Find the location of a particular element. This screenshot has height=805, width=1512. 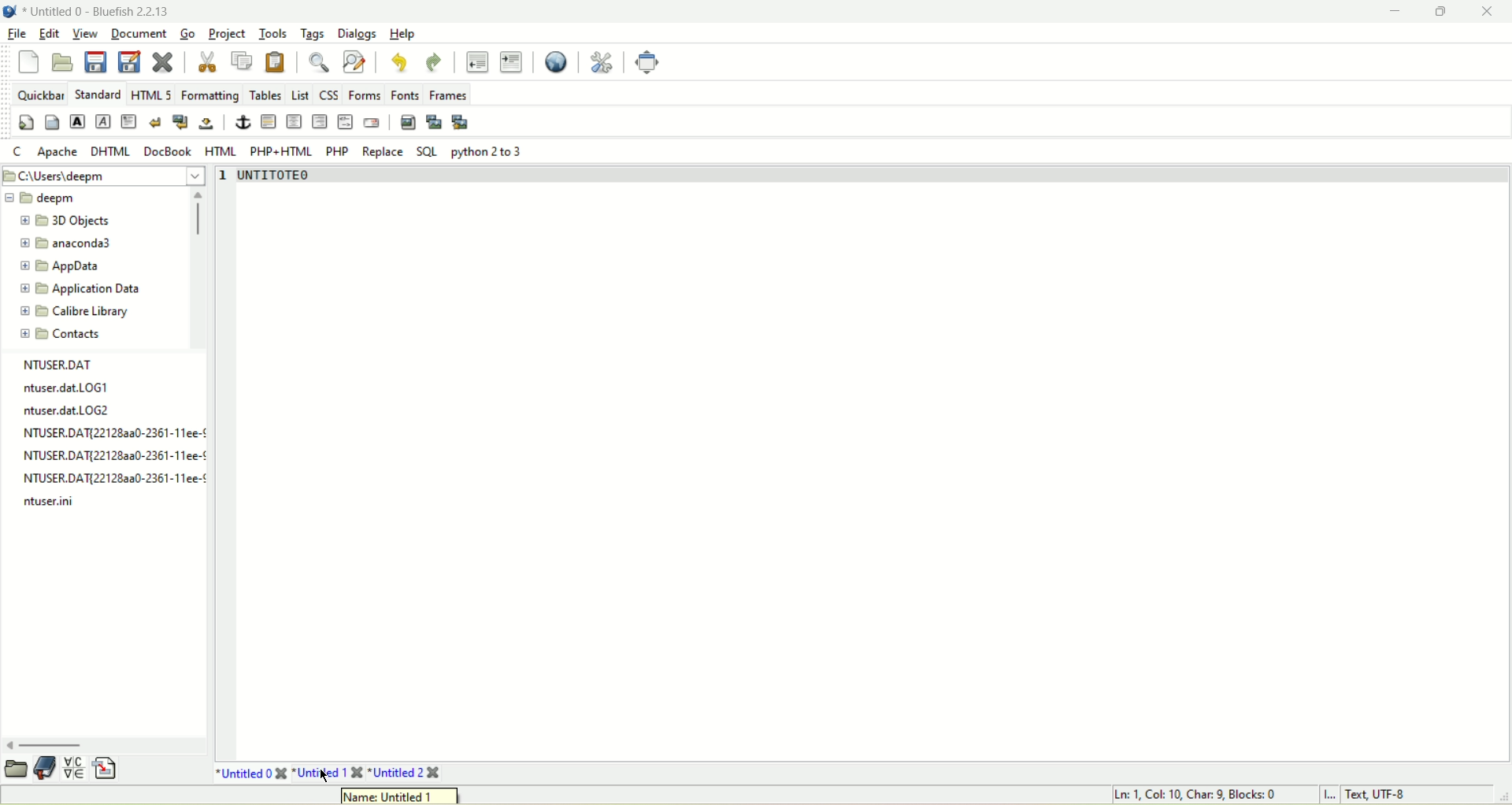

tooltip is located at coordinates (400, 796).